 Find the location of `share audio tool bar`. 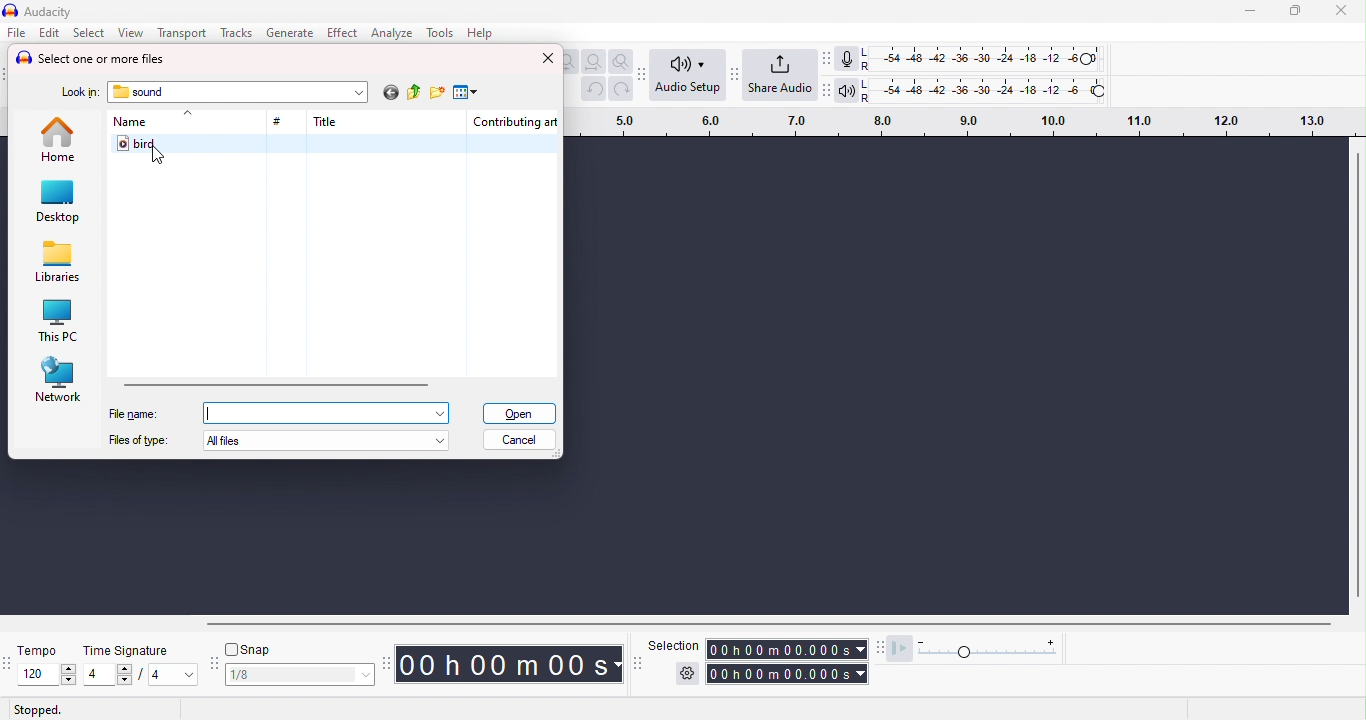

share audio tool bar is located at coordinates (733, 74).